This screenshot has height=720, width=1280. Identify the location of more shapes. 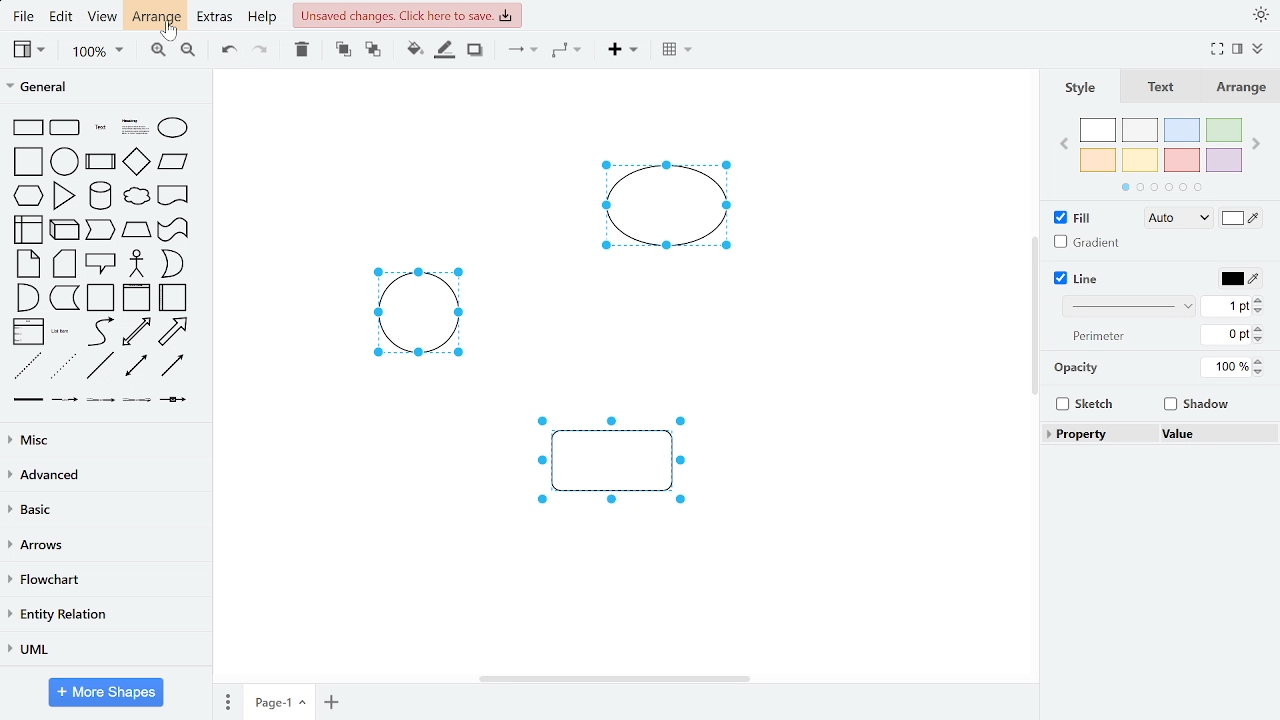
(108, 692).